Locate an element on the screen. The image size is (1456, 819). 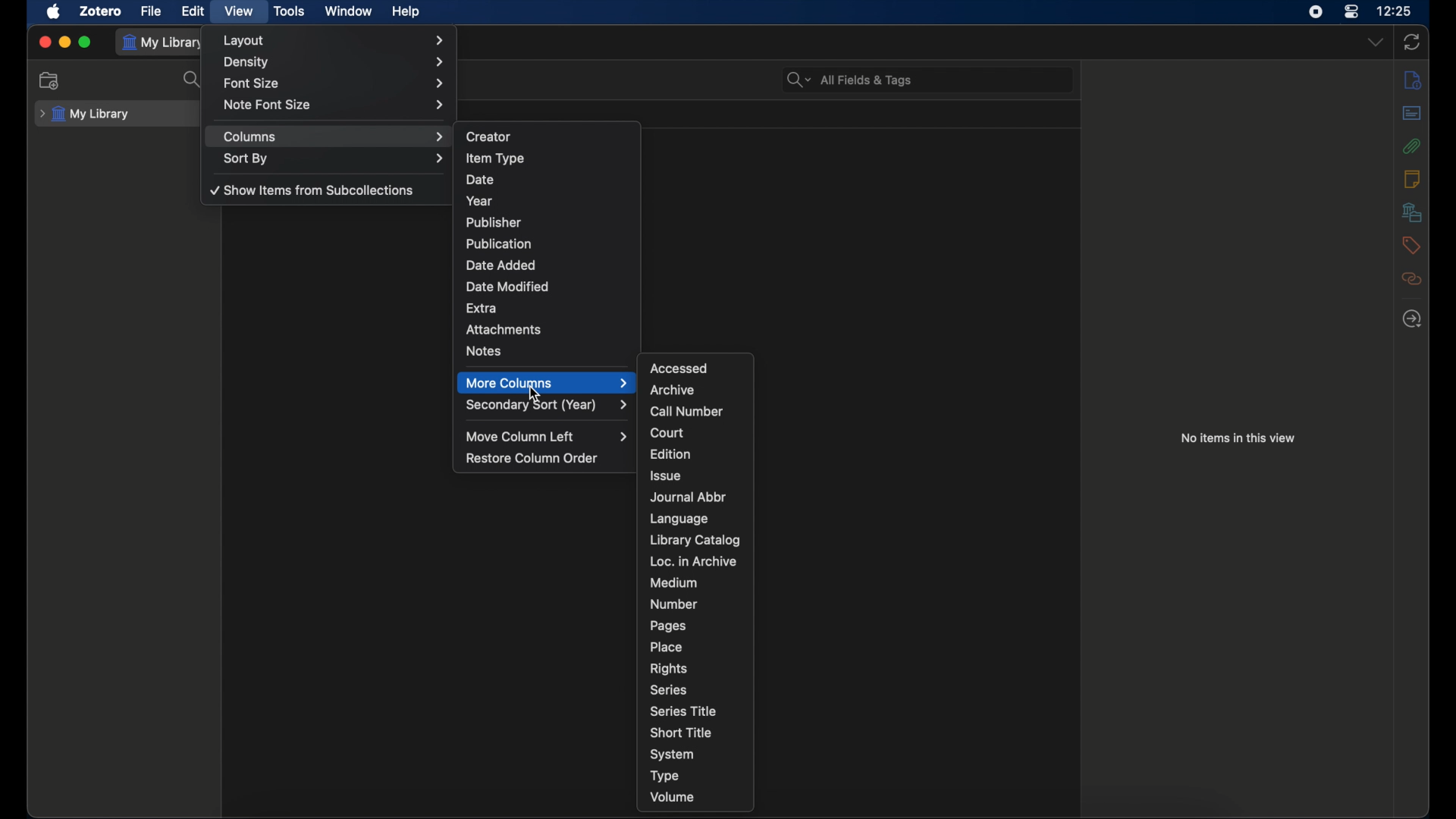
date modified is located at coordinates (508, 287).